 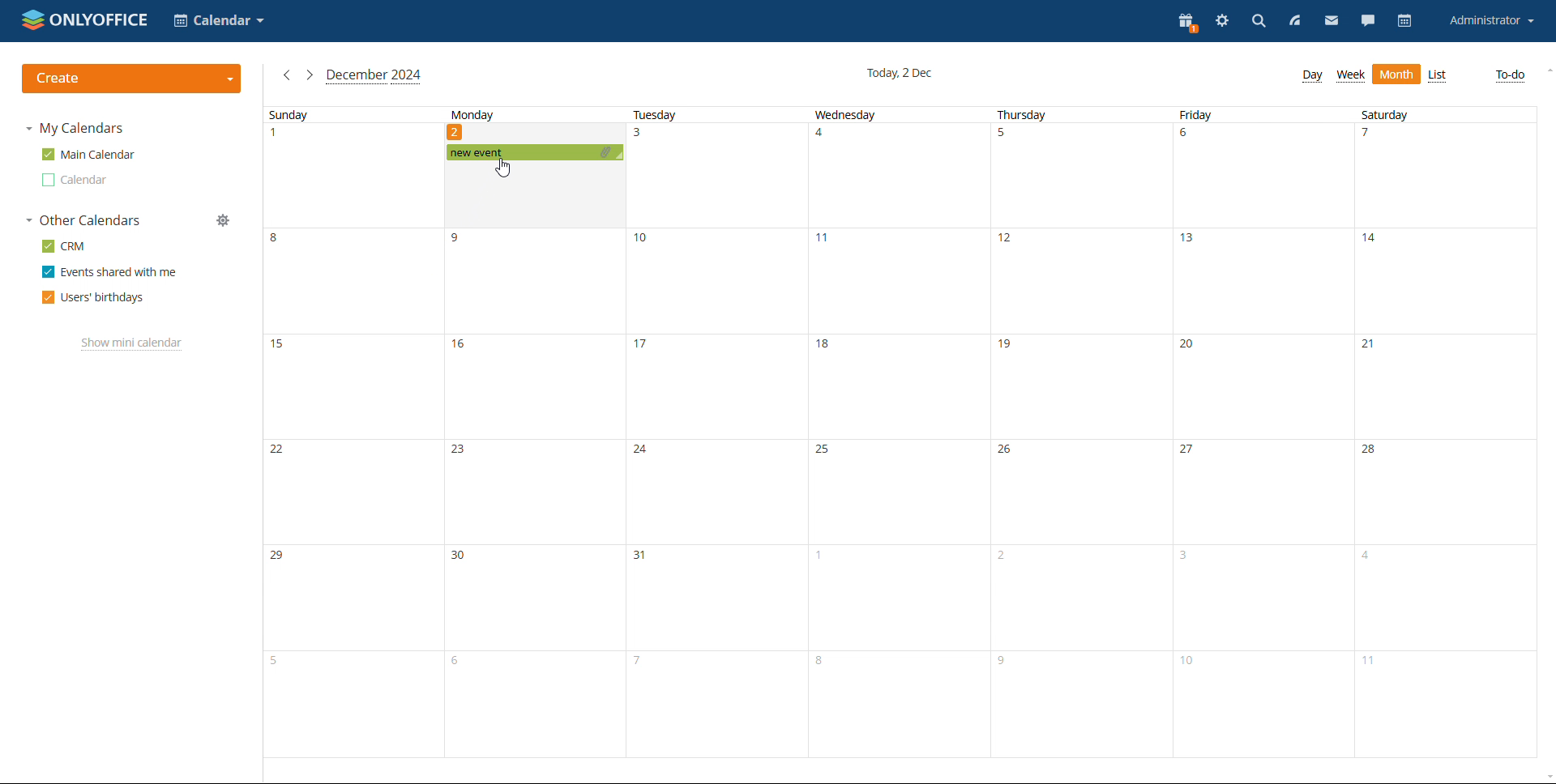 I want to click on 9, so click(x=463, y=239).